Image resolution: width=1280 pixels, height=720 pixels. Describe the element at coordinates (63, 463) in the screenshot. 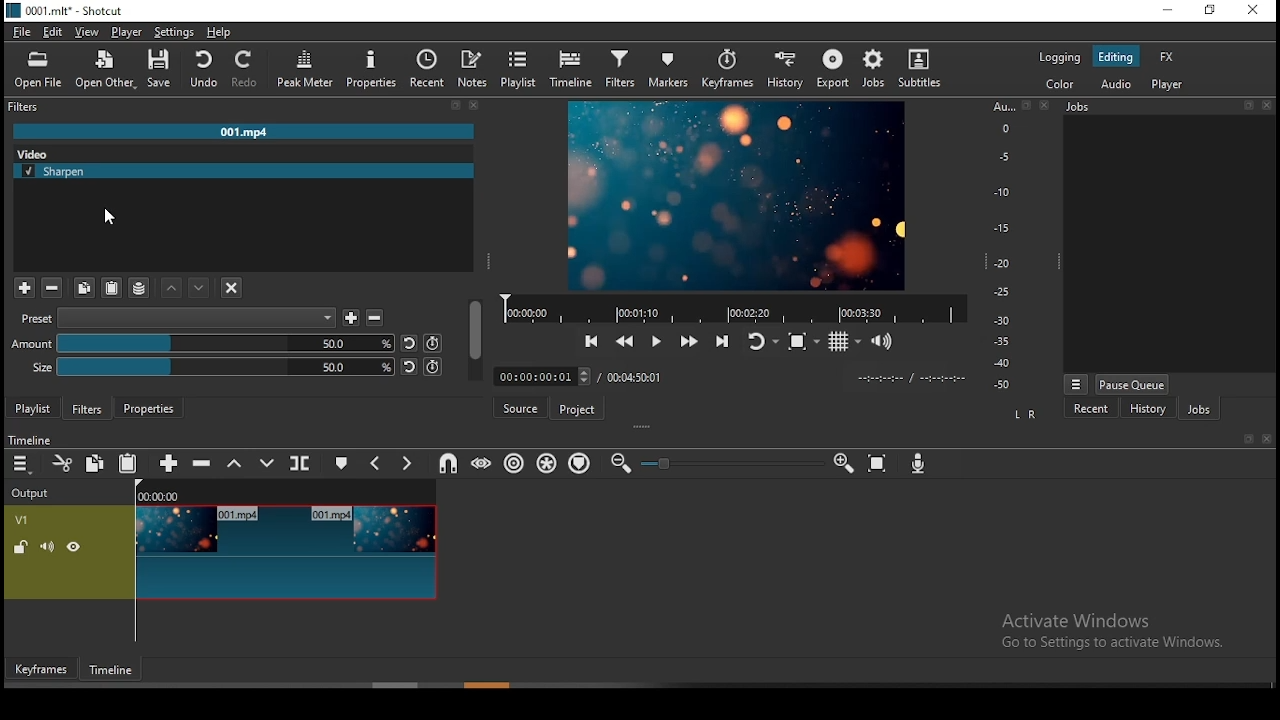

I see `cut` at that location.